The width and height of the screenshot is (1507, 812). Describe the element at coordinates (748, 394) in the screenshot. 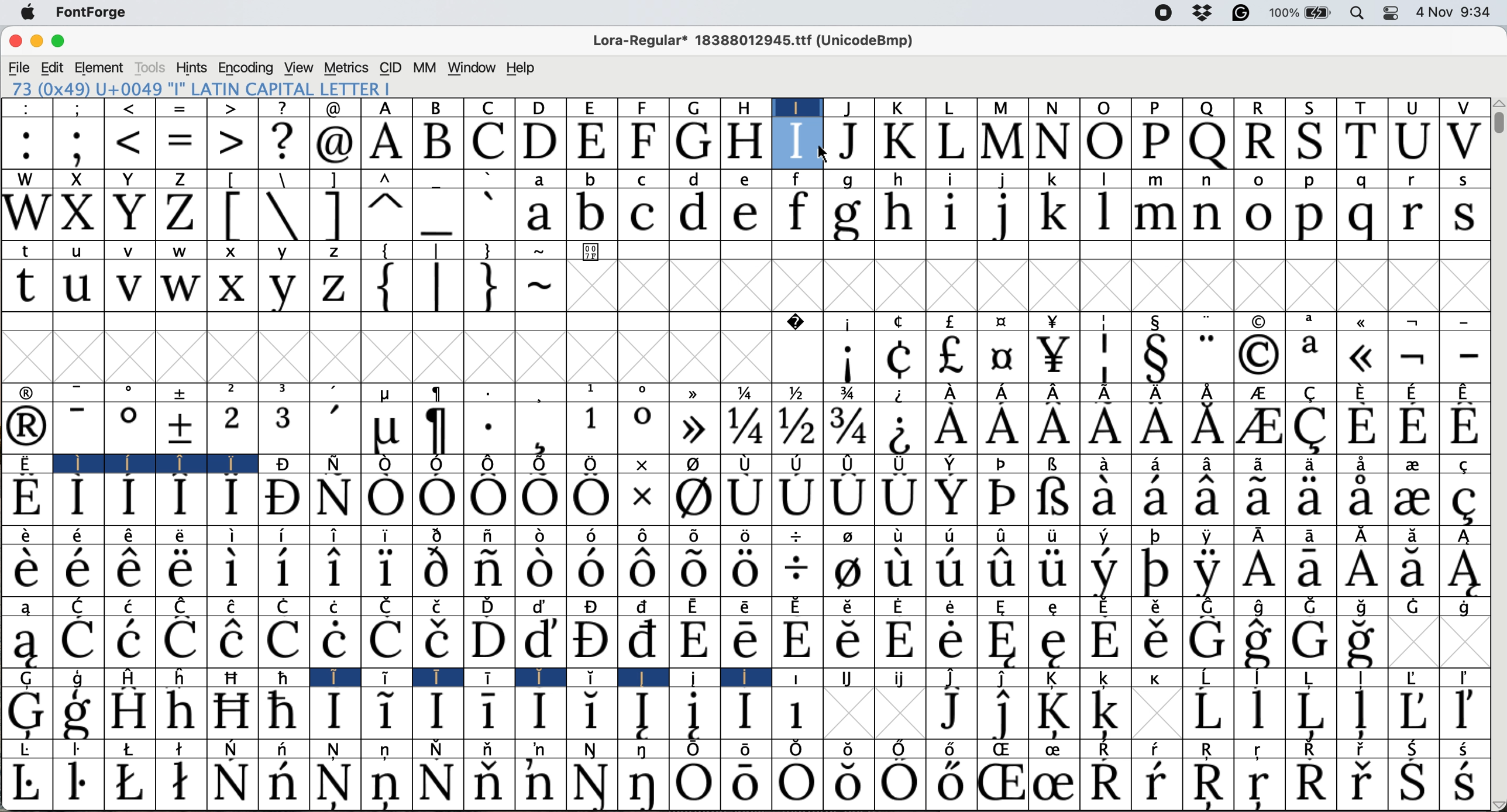

I see `1/4` at that location.